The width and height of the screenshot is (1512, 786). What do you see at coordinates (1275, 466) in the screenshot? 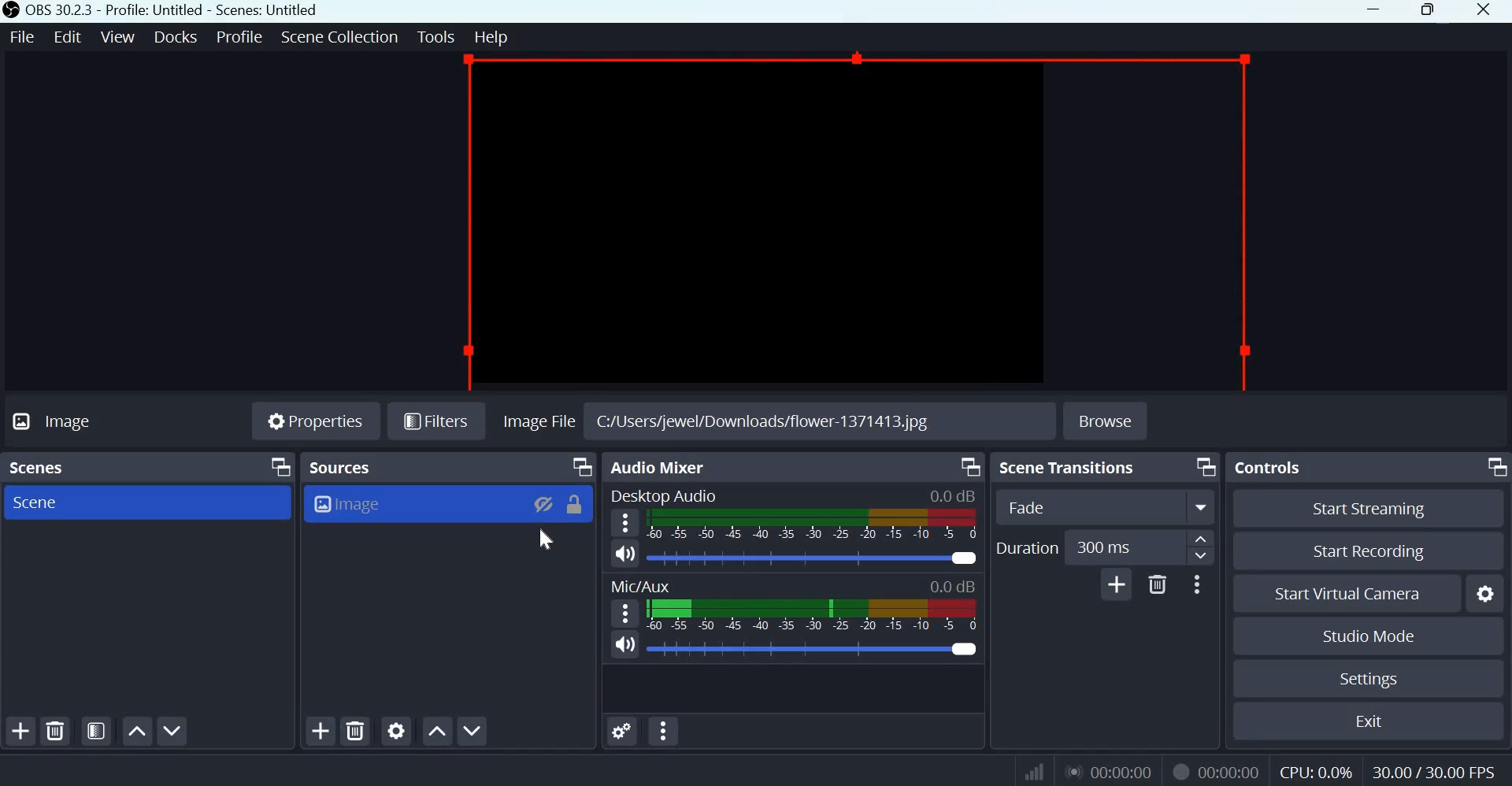
I see `Controls` at bounding box center [1275, 466].